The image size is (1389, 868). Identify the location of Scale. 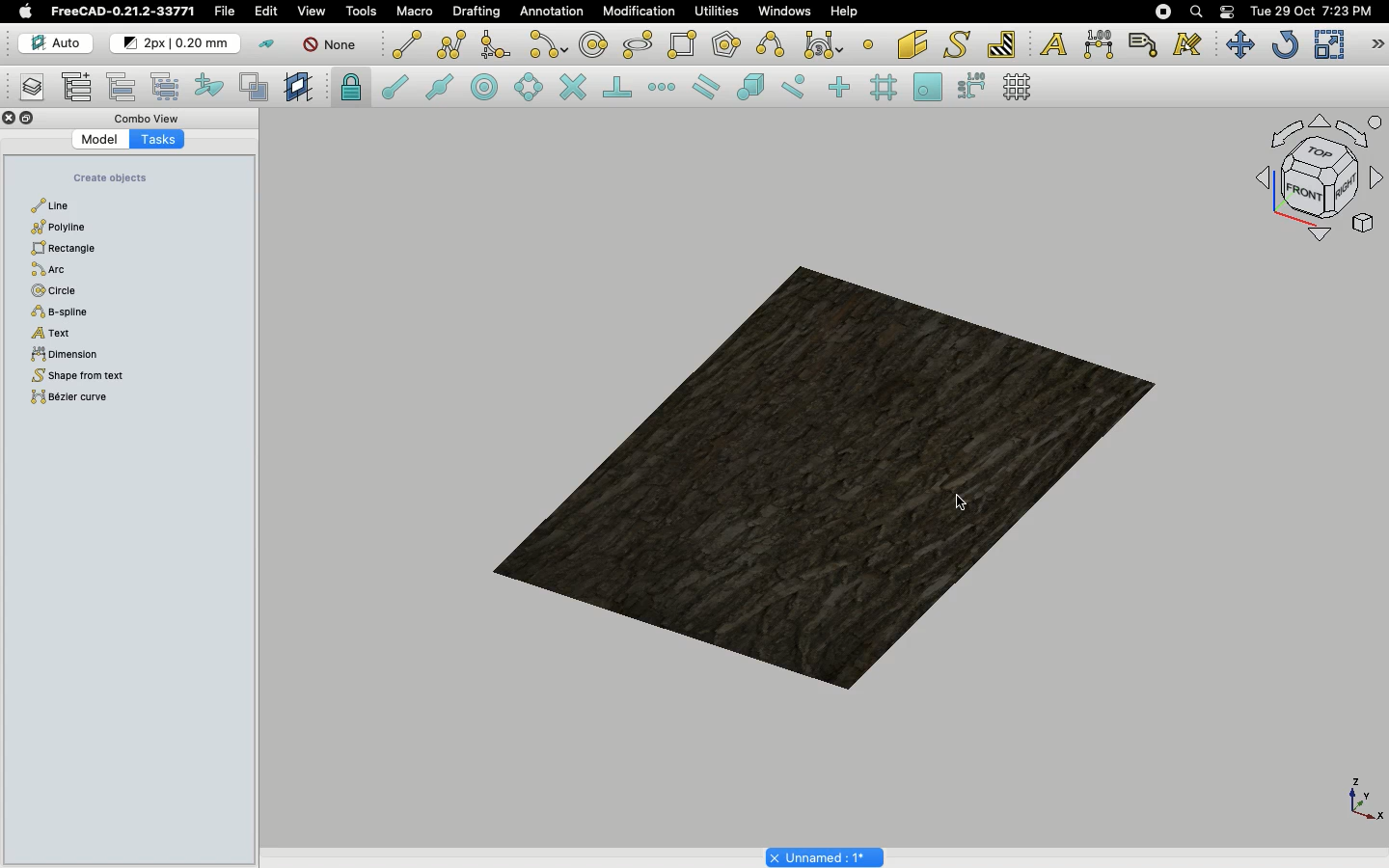
(1327, 43).